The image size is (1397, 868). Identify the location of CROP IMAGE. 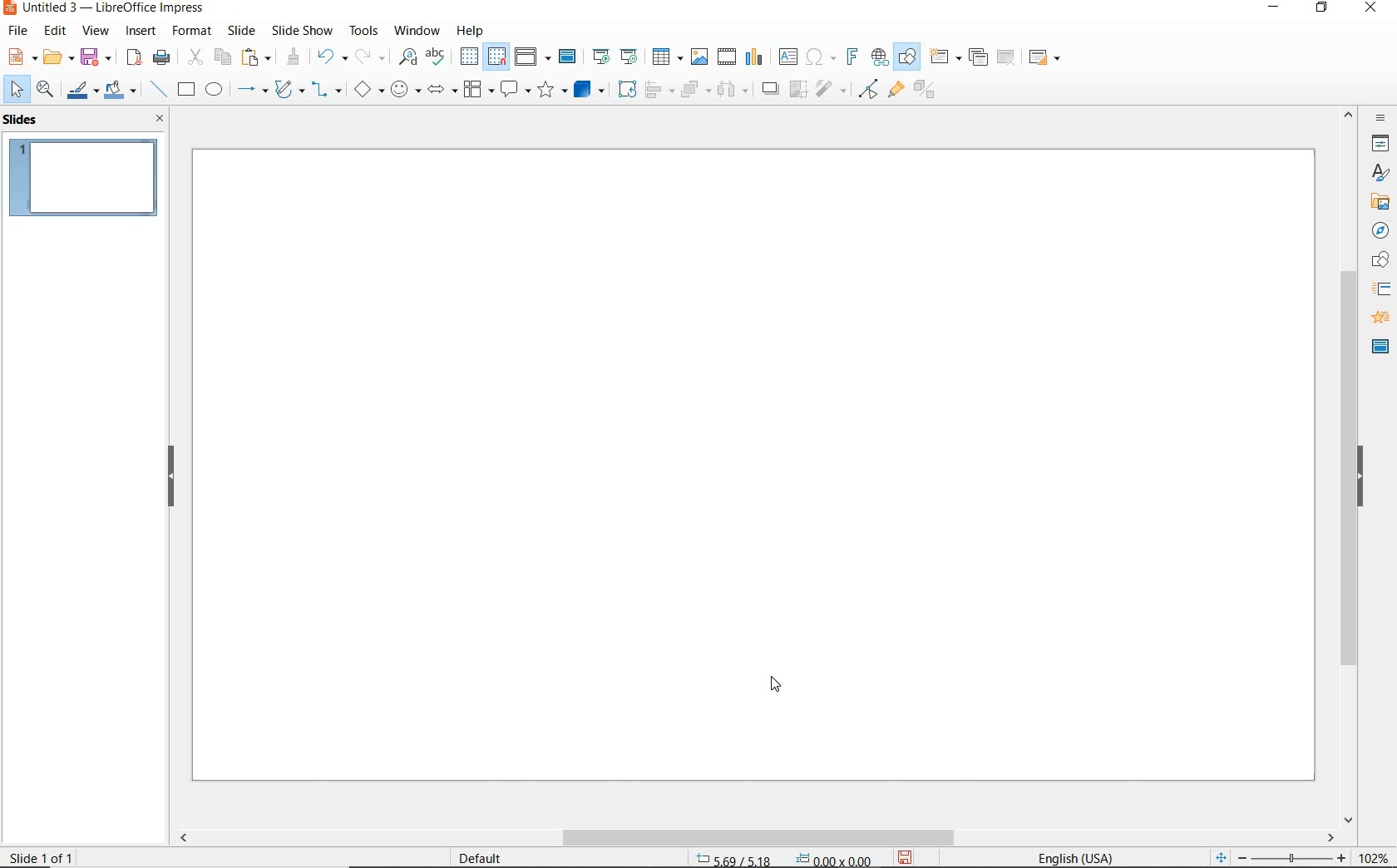
(797, 90).